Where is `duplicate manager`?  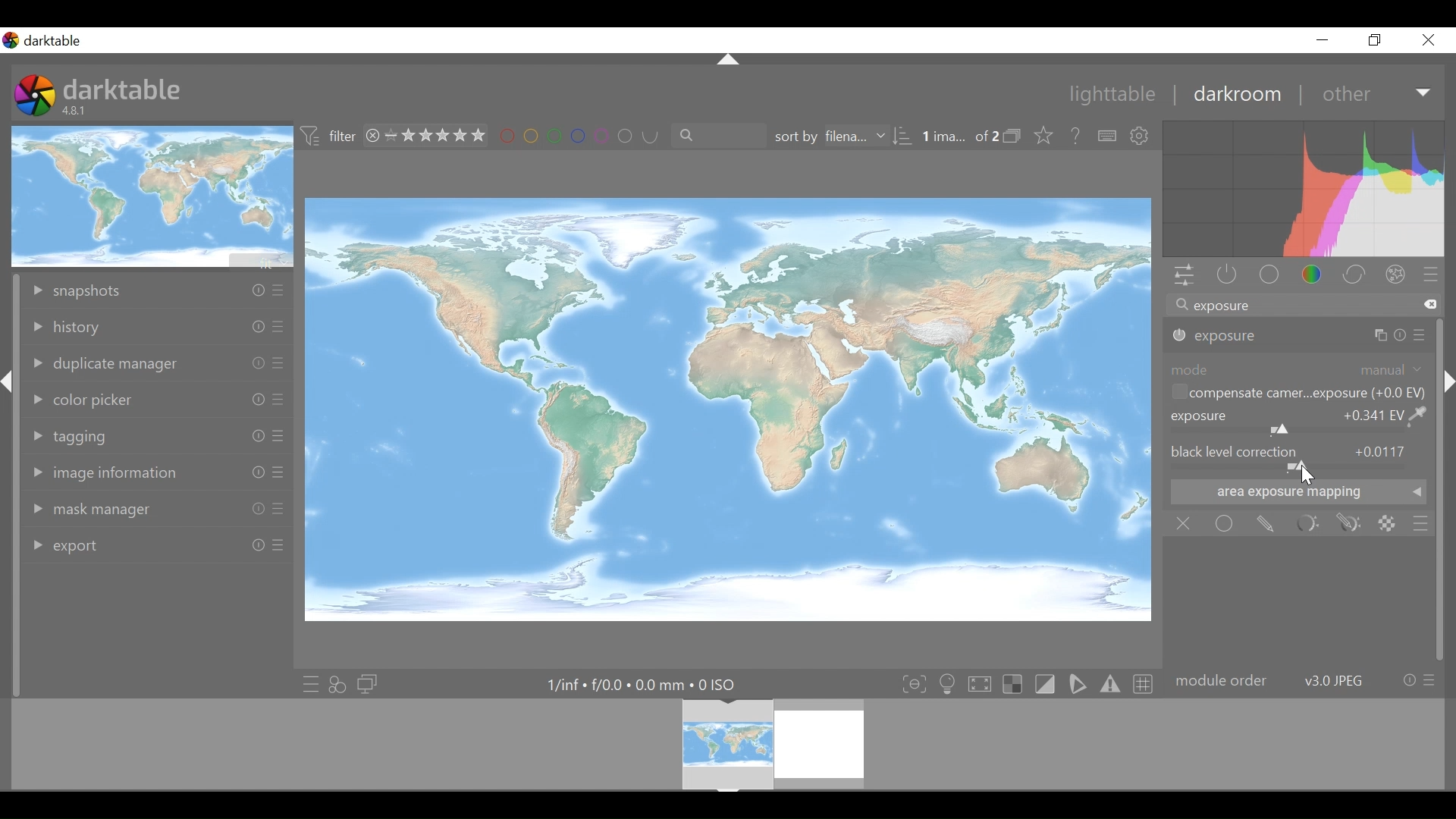
duplicate manager is located at coordinates (157, 366).